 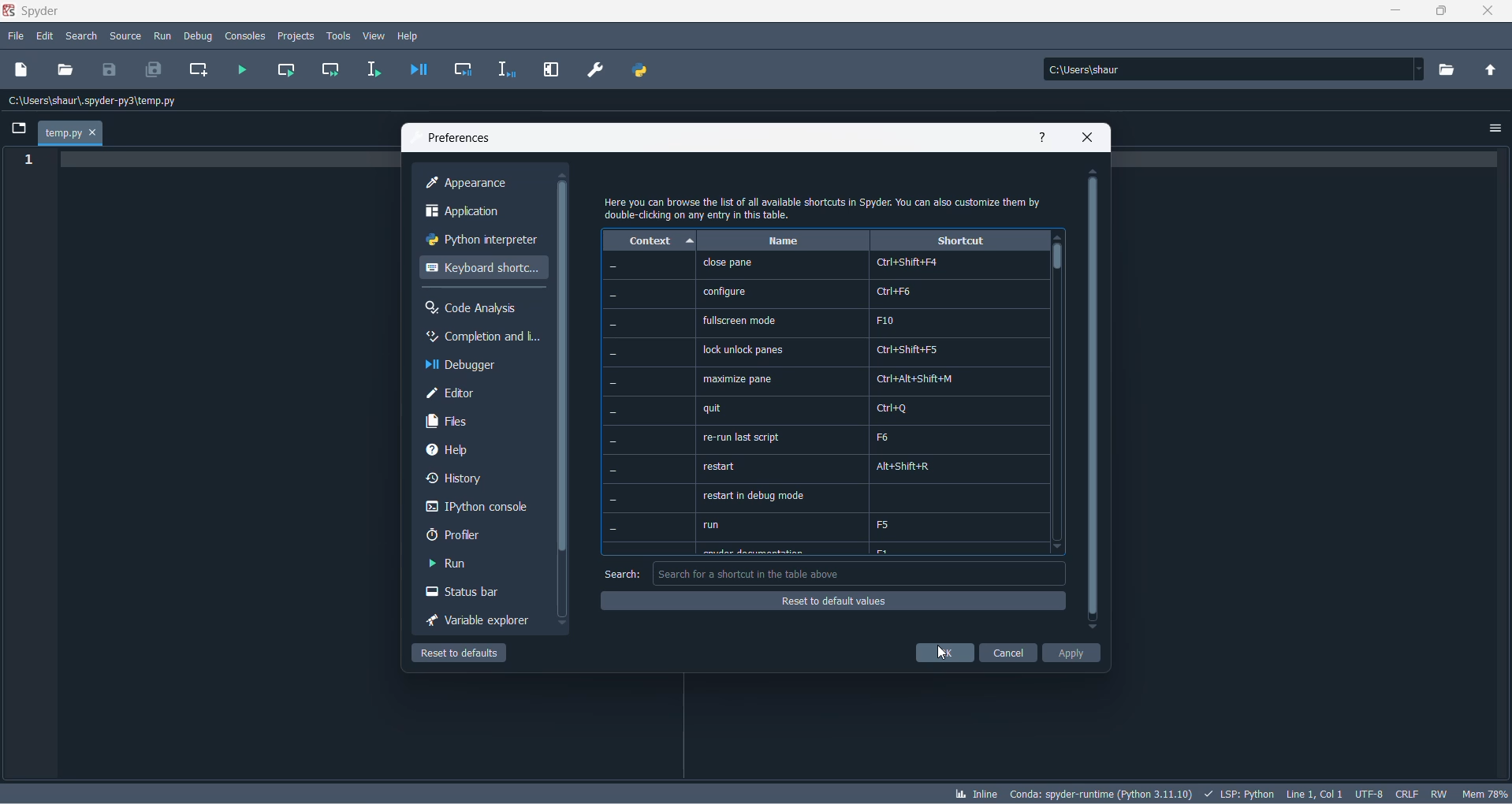 I want to click on projects, so click(x=296, y=35).